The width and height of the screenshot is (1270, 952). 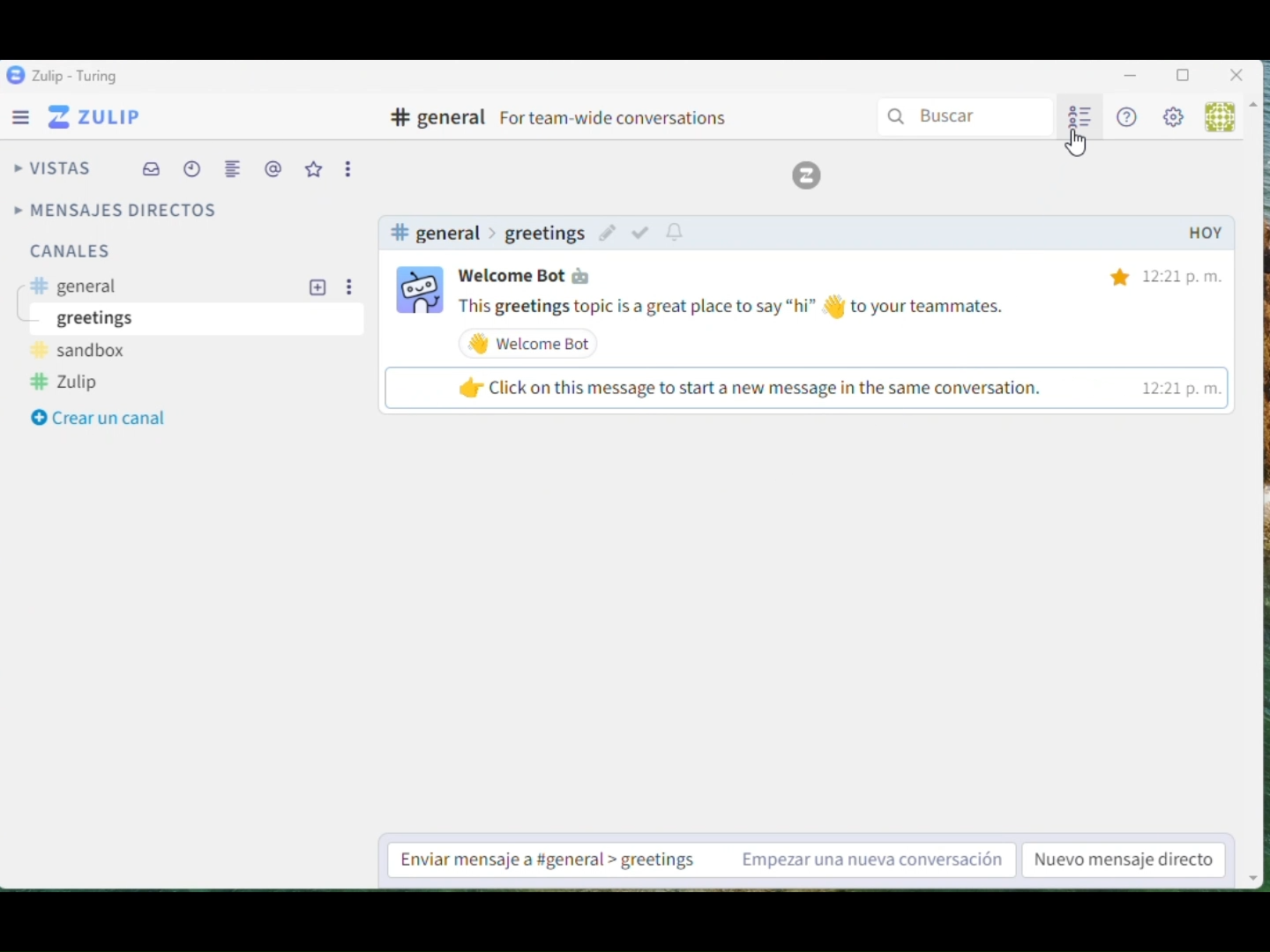 I want to click on time, so click(x=1183, y=334).